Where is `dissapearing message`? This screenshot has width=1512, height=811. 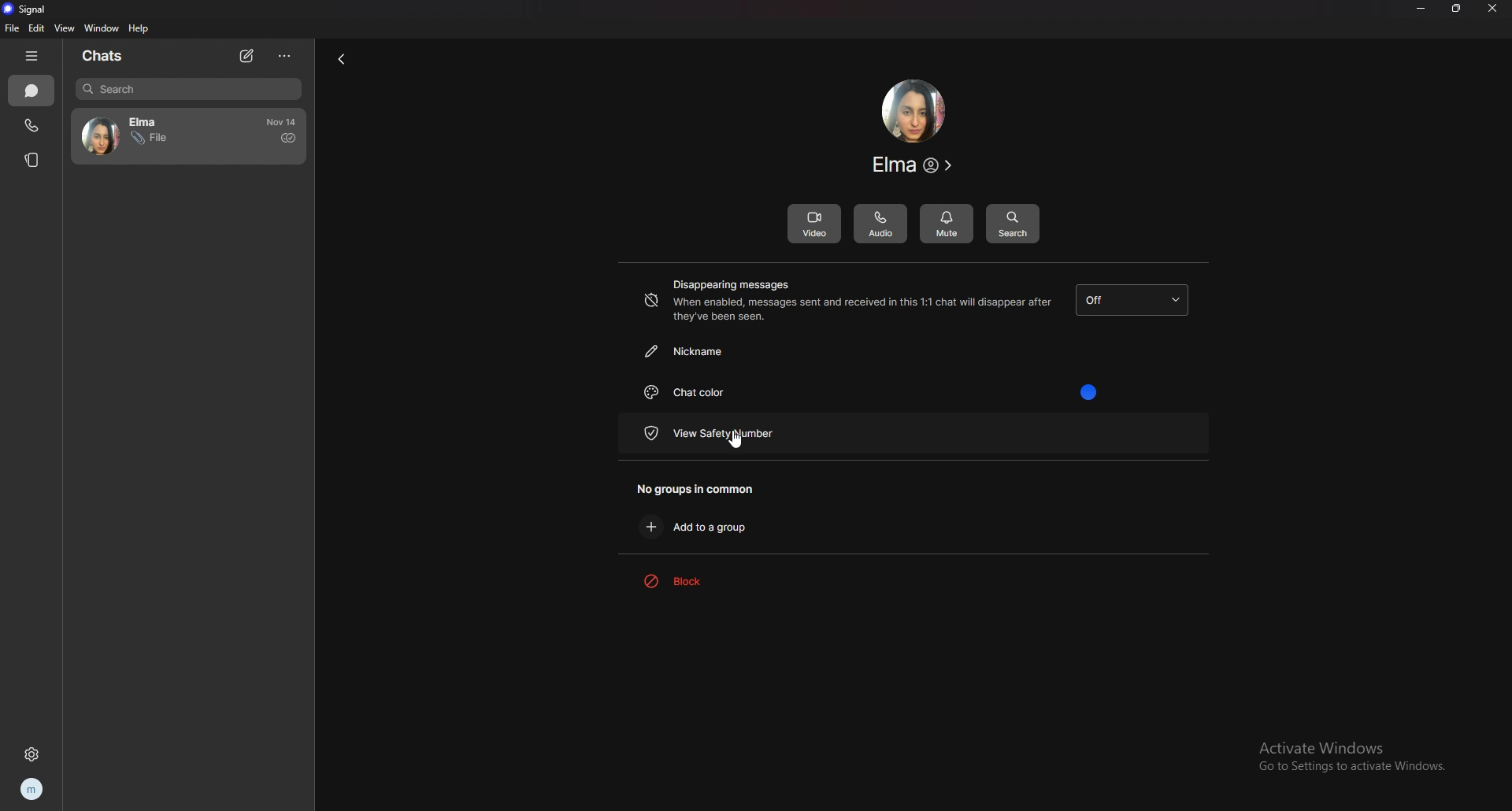 dissapearing message is located at coordinates (847, 301).